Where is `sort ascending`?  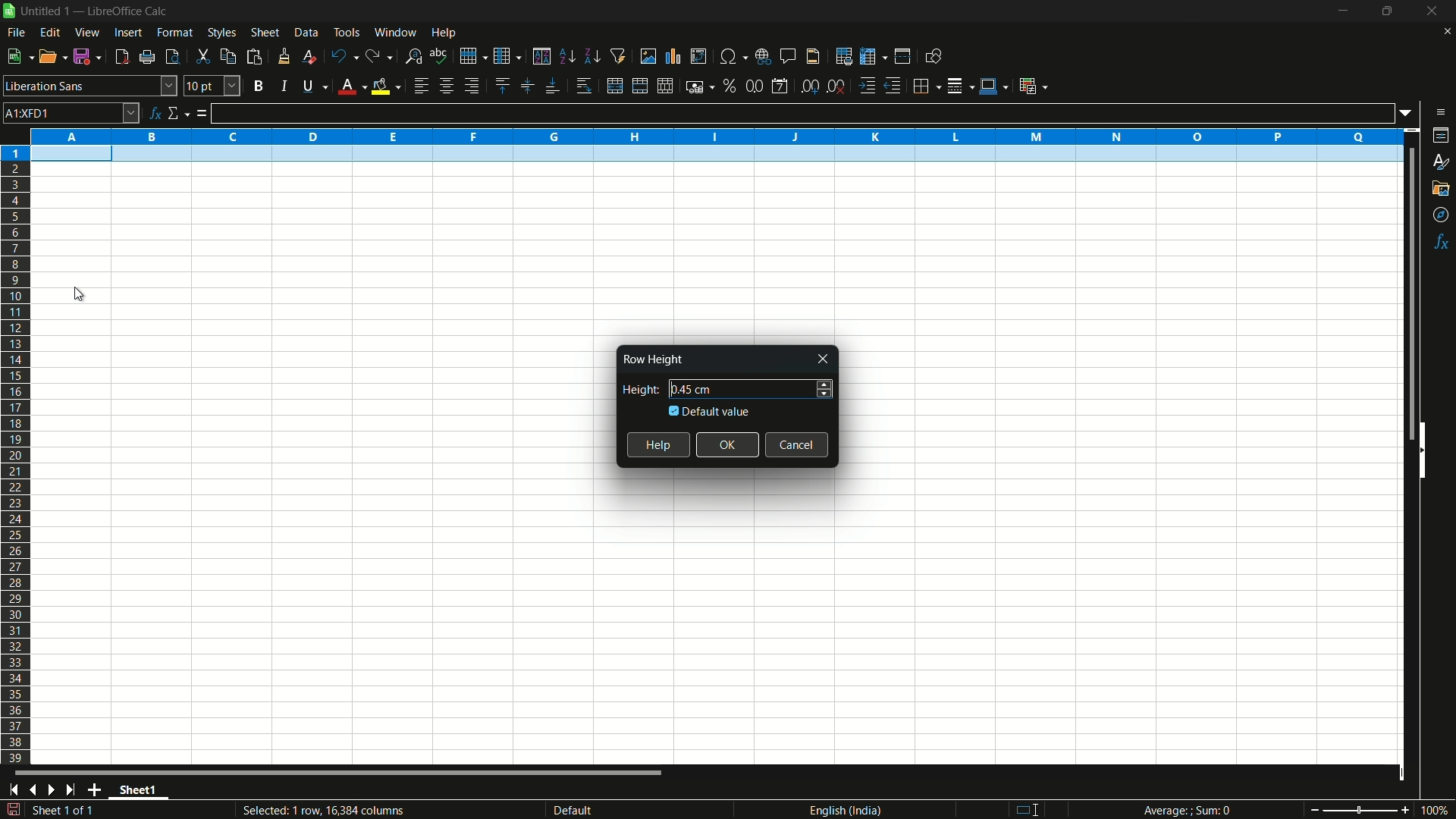 sort ascending is located at coordinates (566, 57).